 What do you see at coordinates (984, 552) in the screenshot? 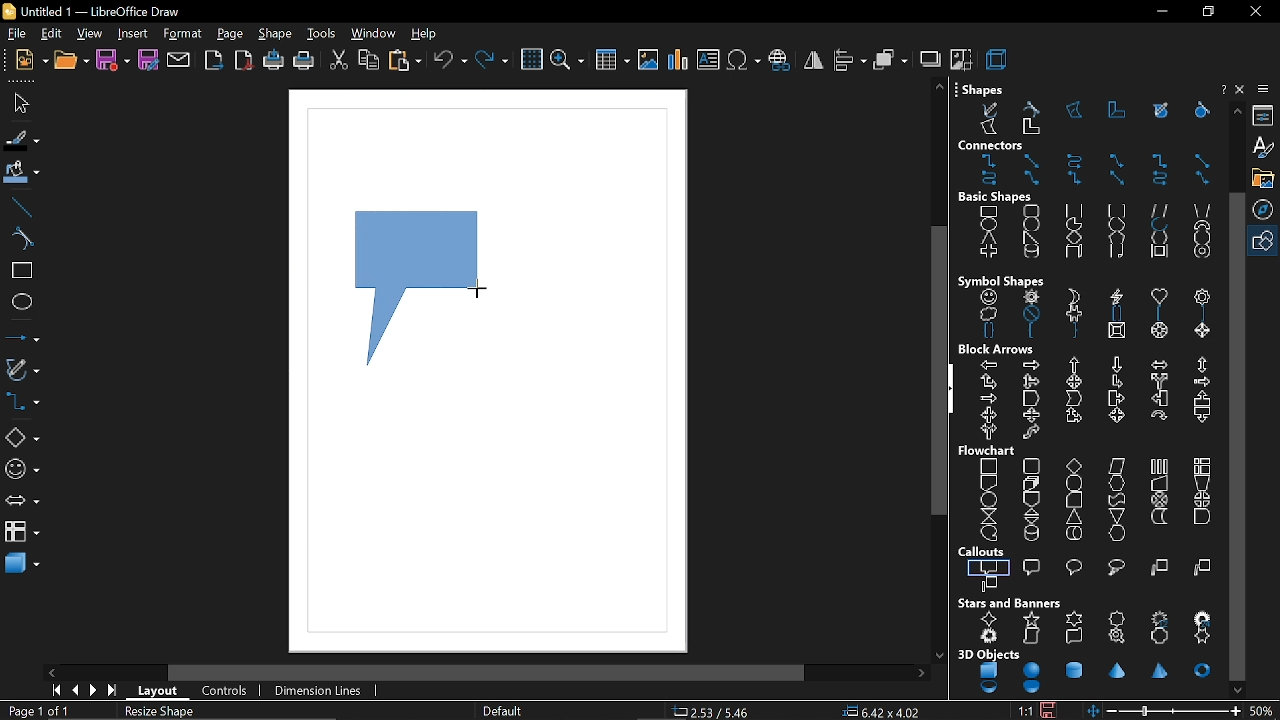
I see `callouts` at bounding box center [984, 552].